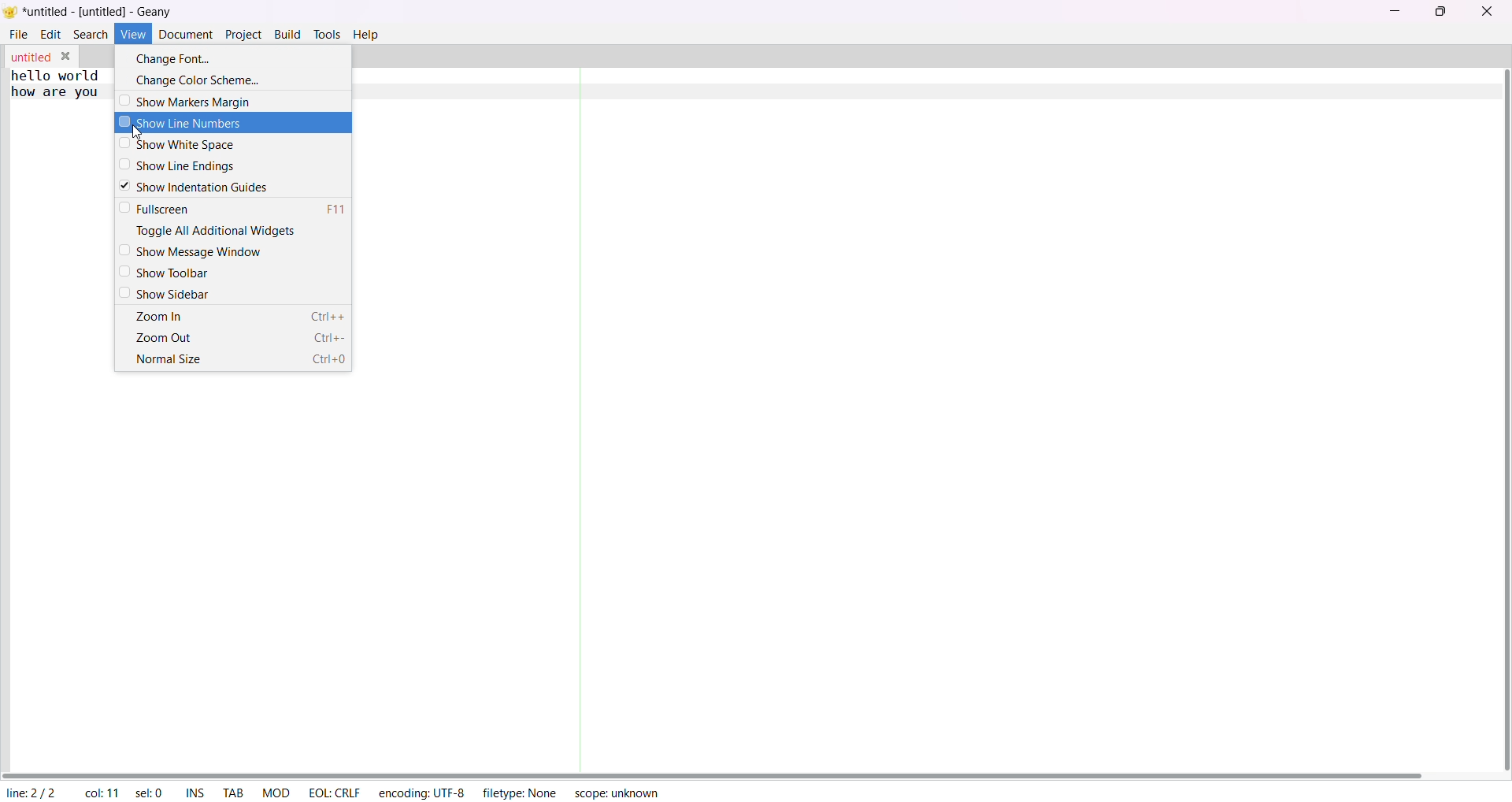 Image resolution: width=1512 pixels, height=802 pixels. What do you see at coordinates (617, 793) in the screenshot?
I see `scope` at bounding box center [617, 793].